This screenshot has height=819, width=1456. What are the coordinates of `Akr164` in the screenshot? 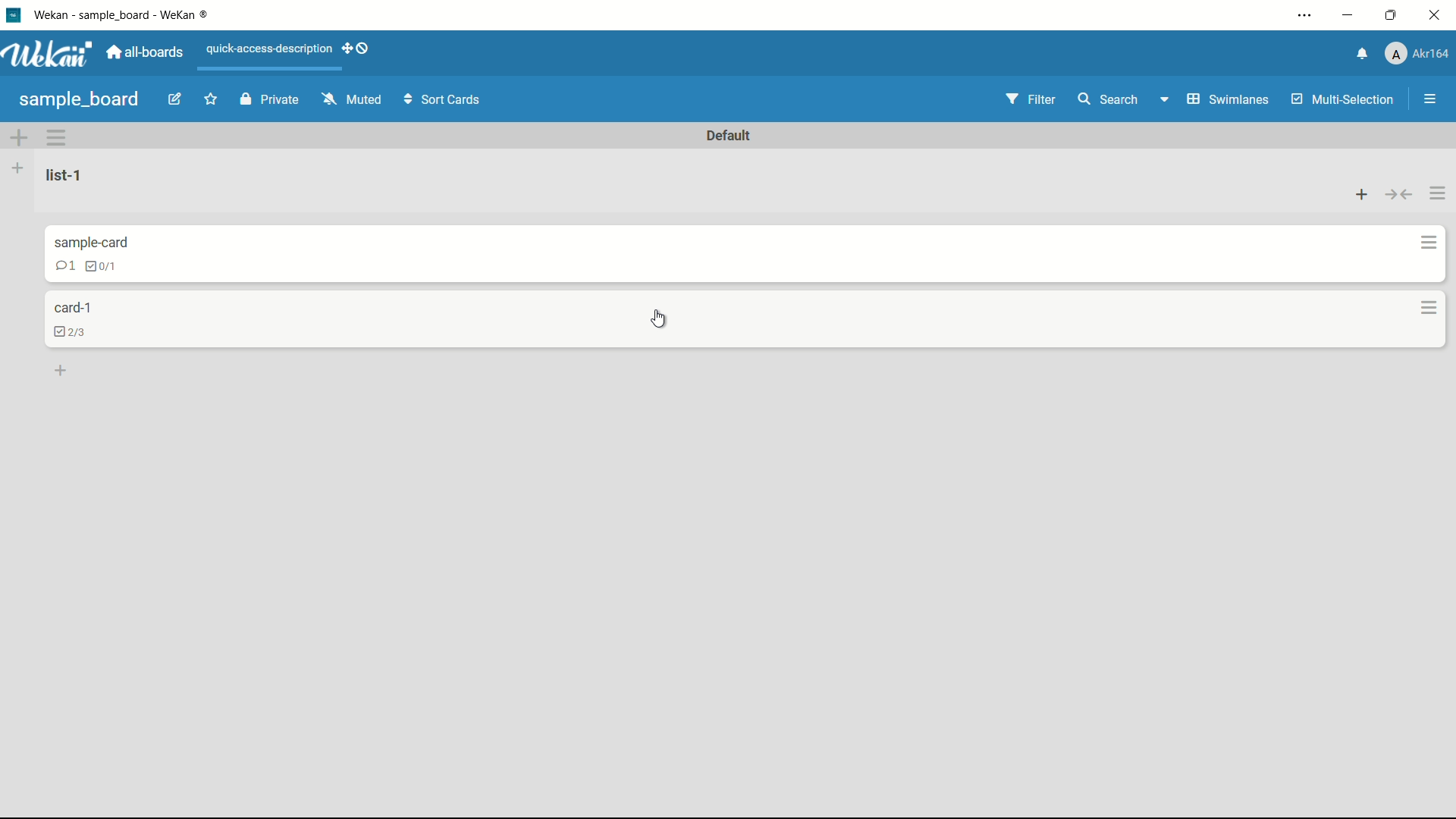 It's located at (1420, 55).